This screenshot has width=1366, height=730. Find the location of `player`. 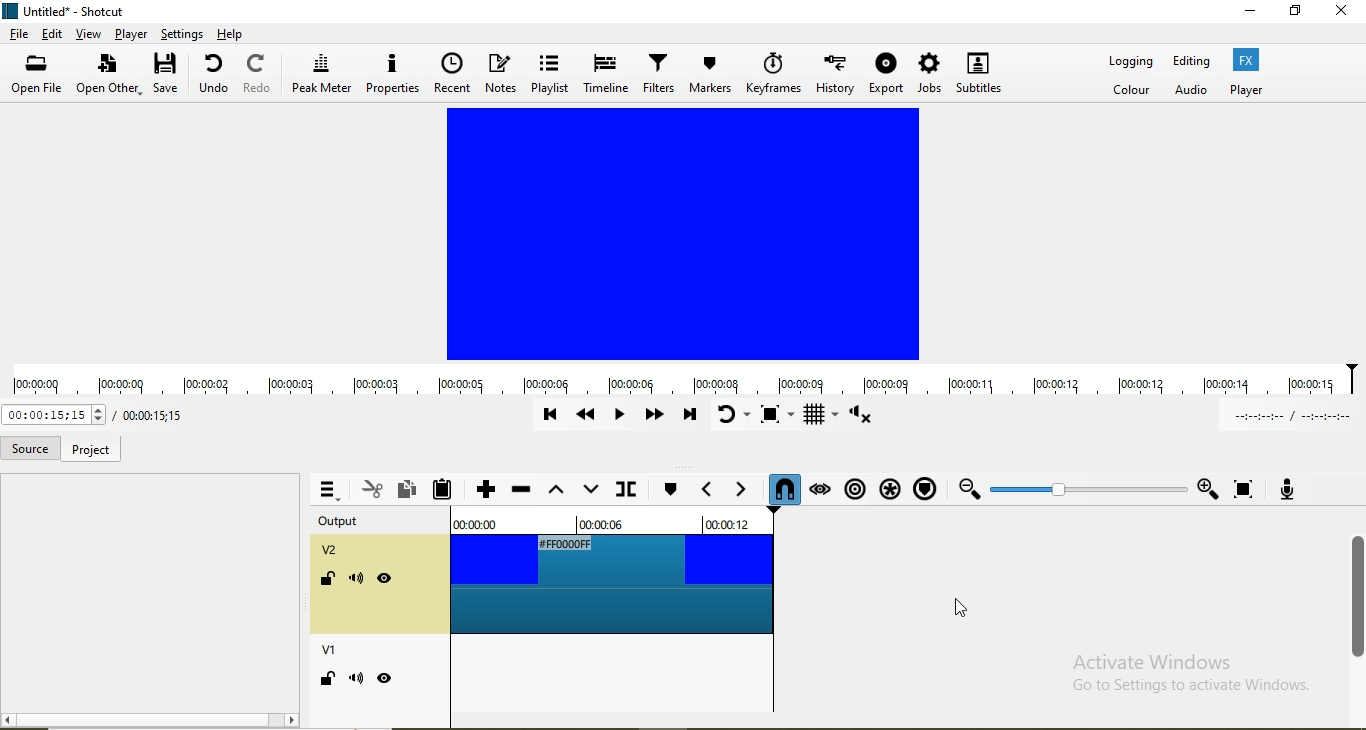

player is located at coordinates (129, 34).